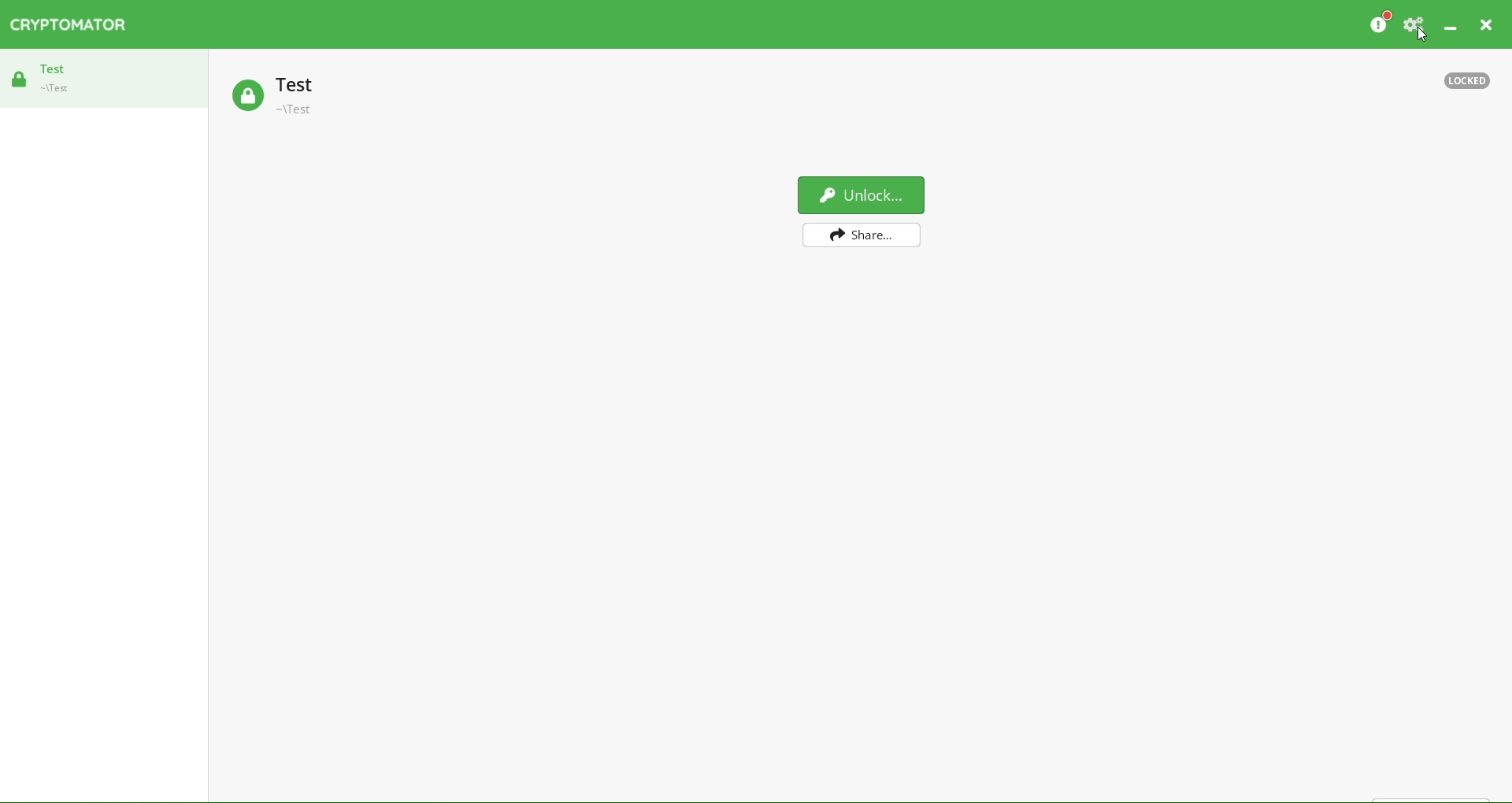  Describe the element at coordinates (50, 78) in the screenshot. I see `Test` at that location.